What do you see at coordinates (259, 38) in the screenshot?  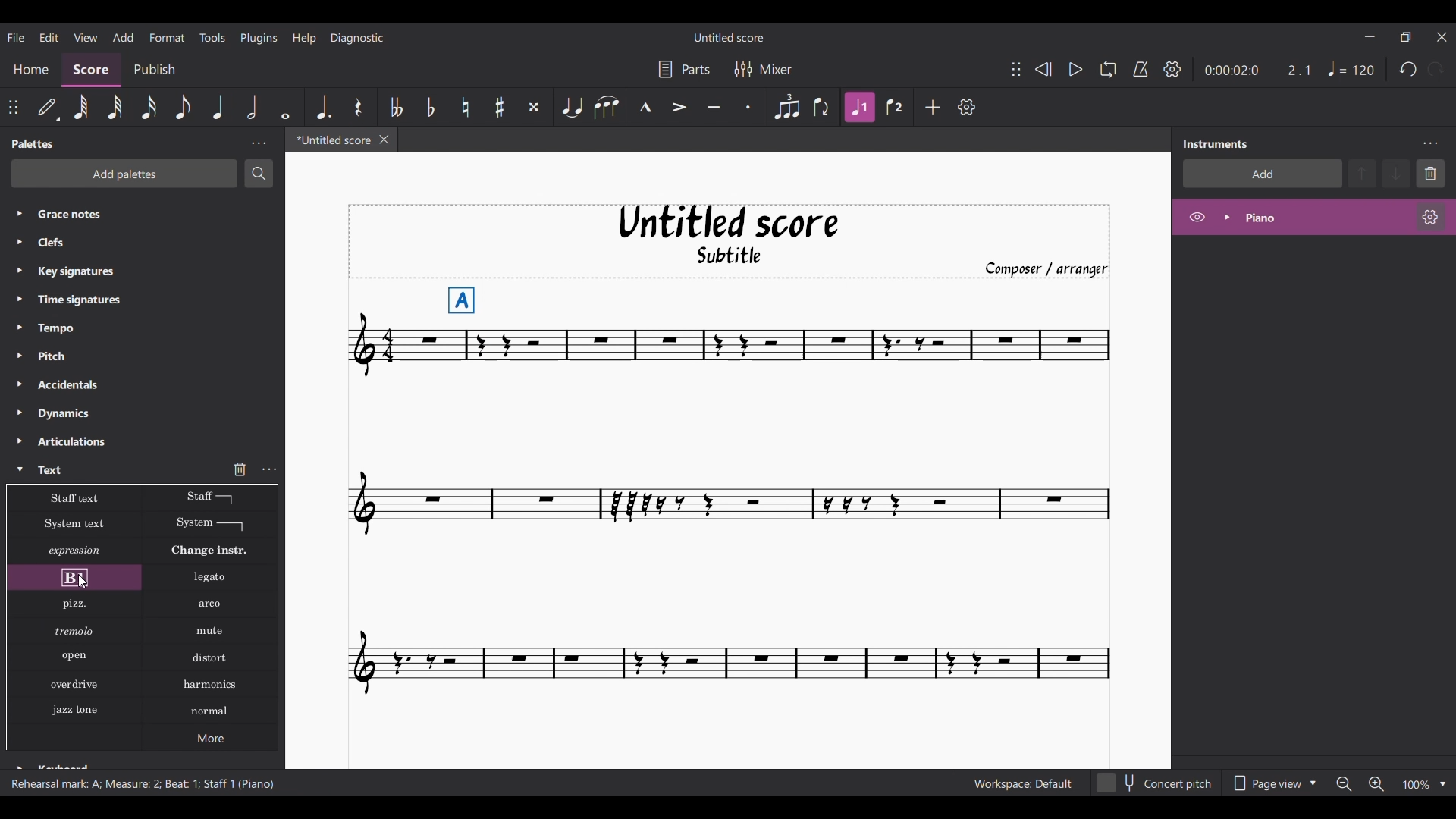 I see `Plugins menu` at bounding box center [259, 38].